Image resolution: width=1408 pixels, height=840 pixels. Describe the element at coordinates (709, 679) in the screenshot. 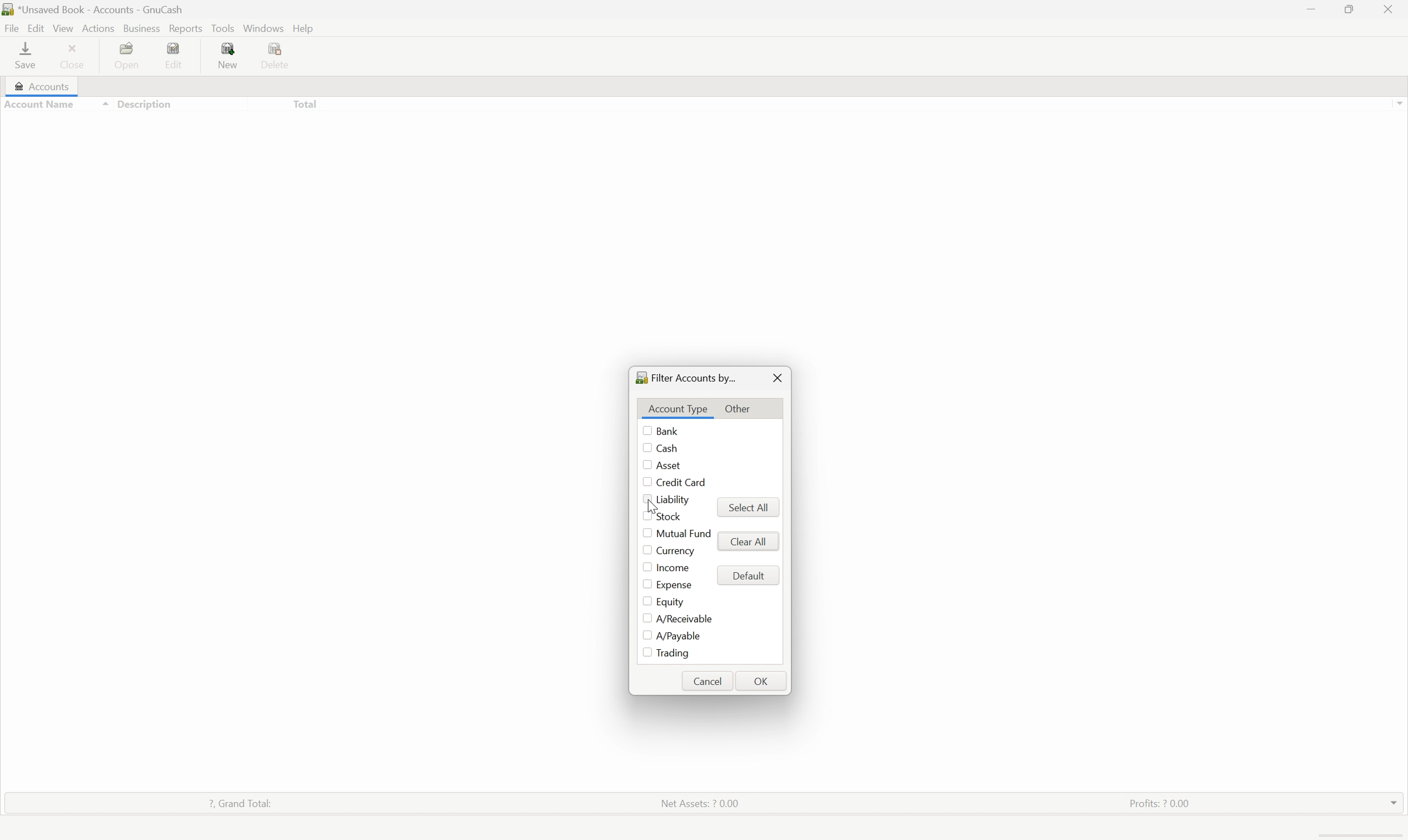

I see `Cancel` at that location.